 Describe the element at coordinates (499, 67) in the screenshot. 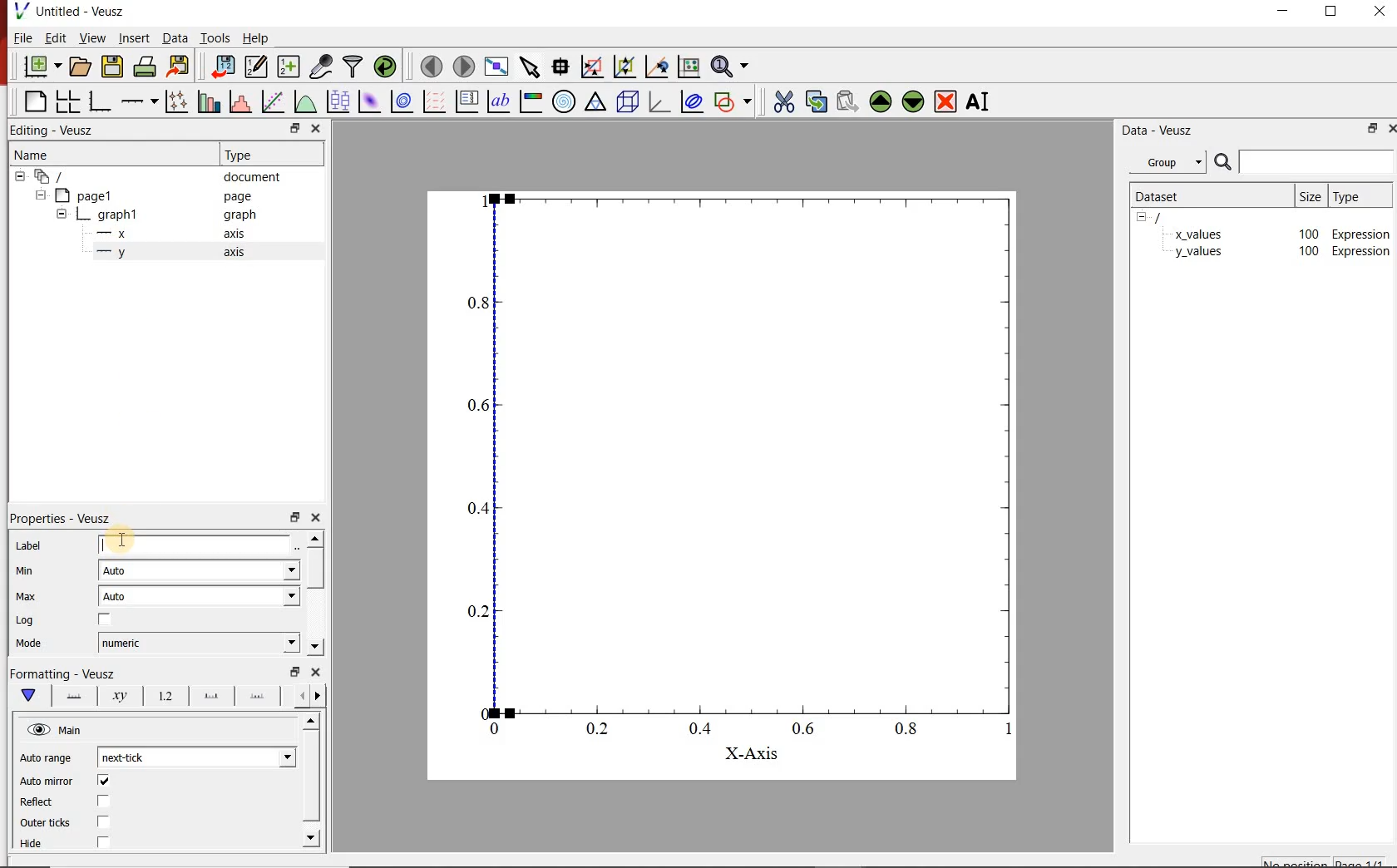

I see `view plot fullscreen` at that location.